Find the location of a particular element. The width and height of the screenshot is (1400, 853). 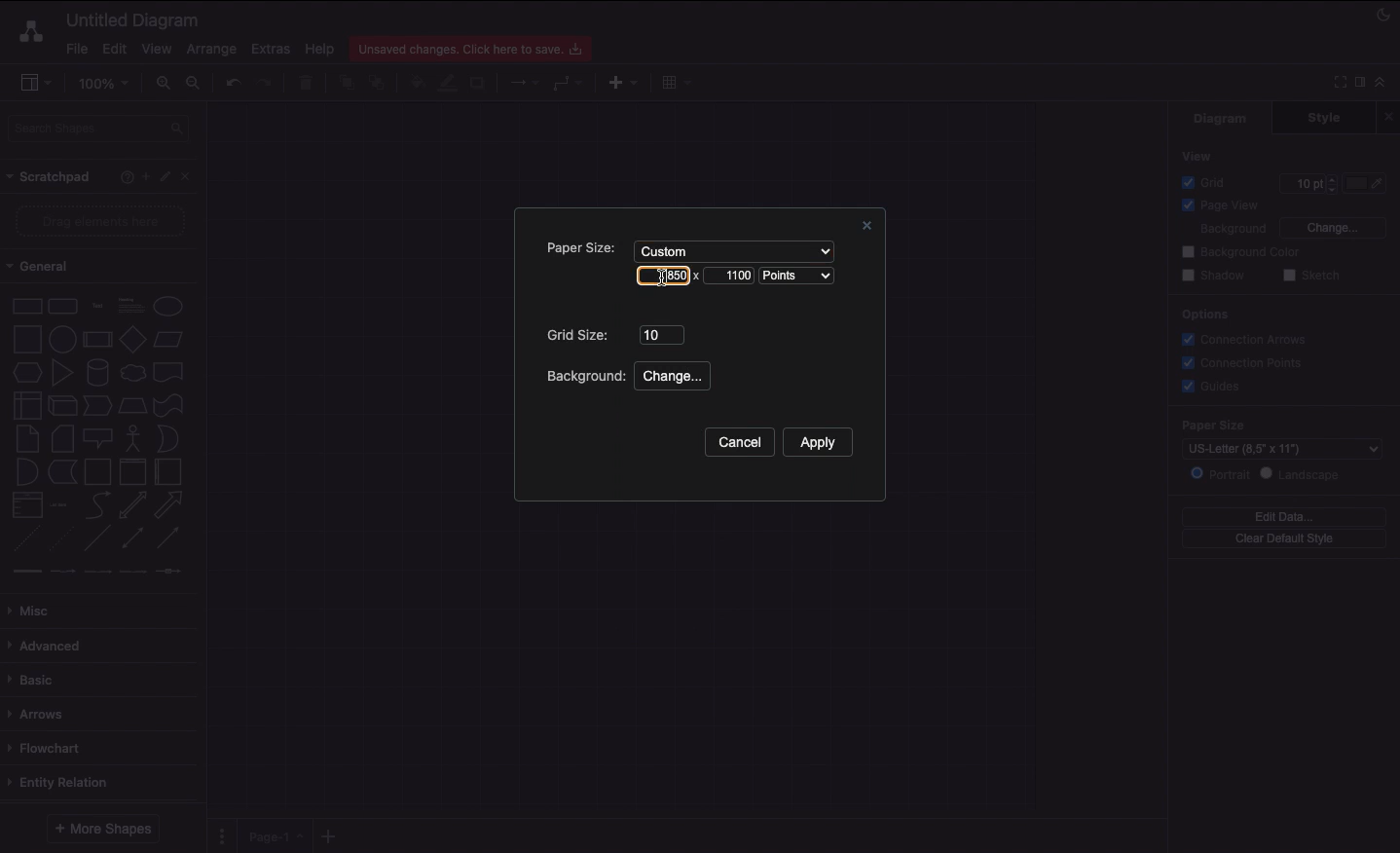

Note is located at coordinates (25, 439).